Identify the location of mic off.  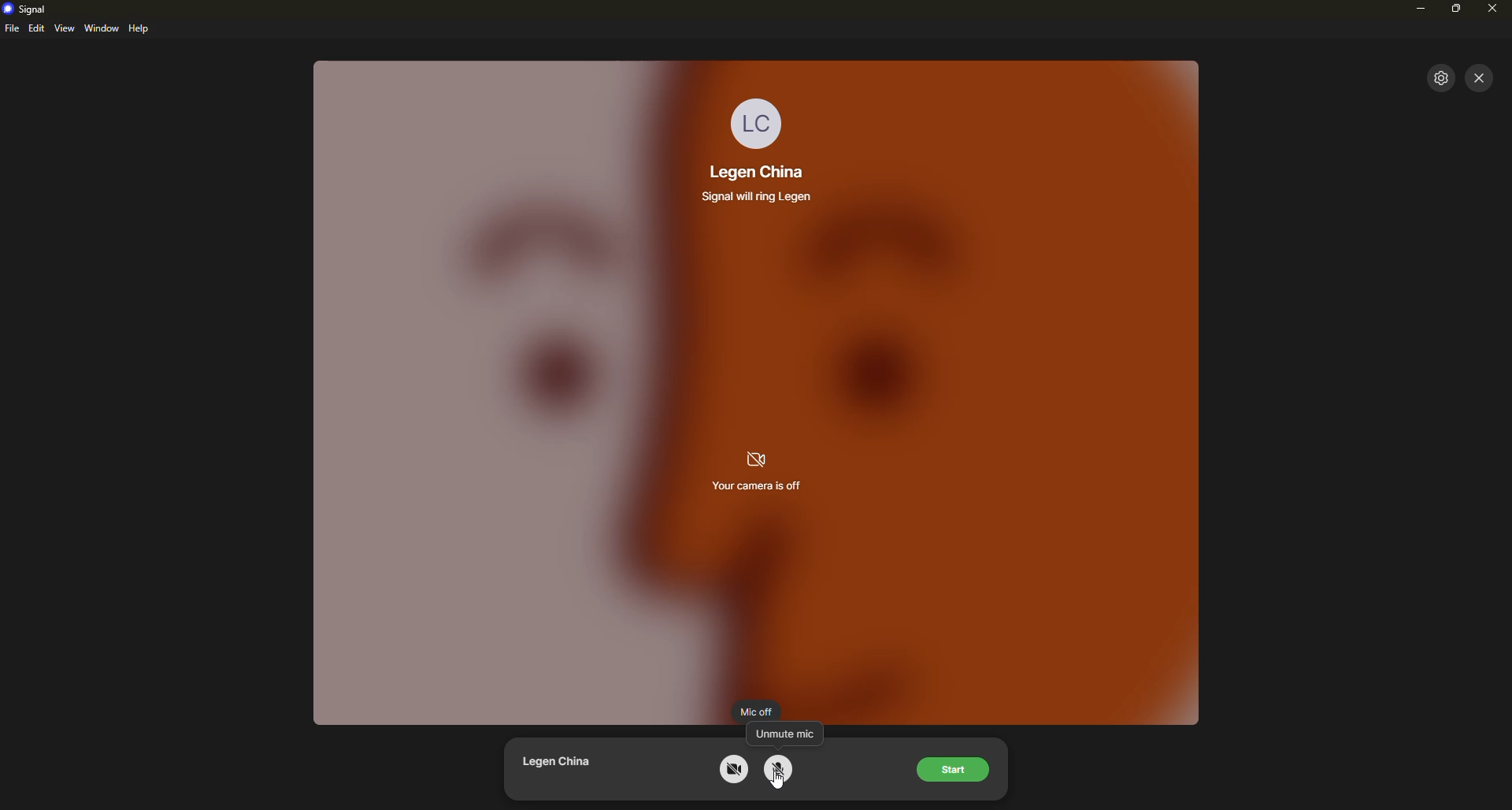
(756, 710).